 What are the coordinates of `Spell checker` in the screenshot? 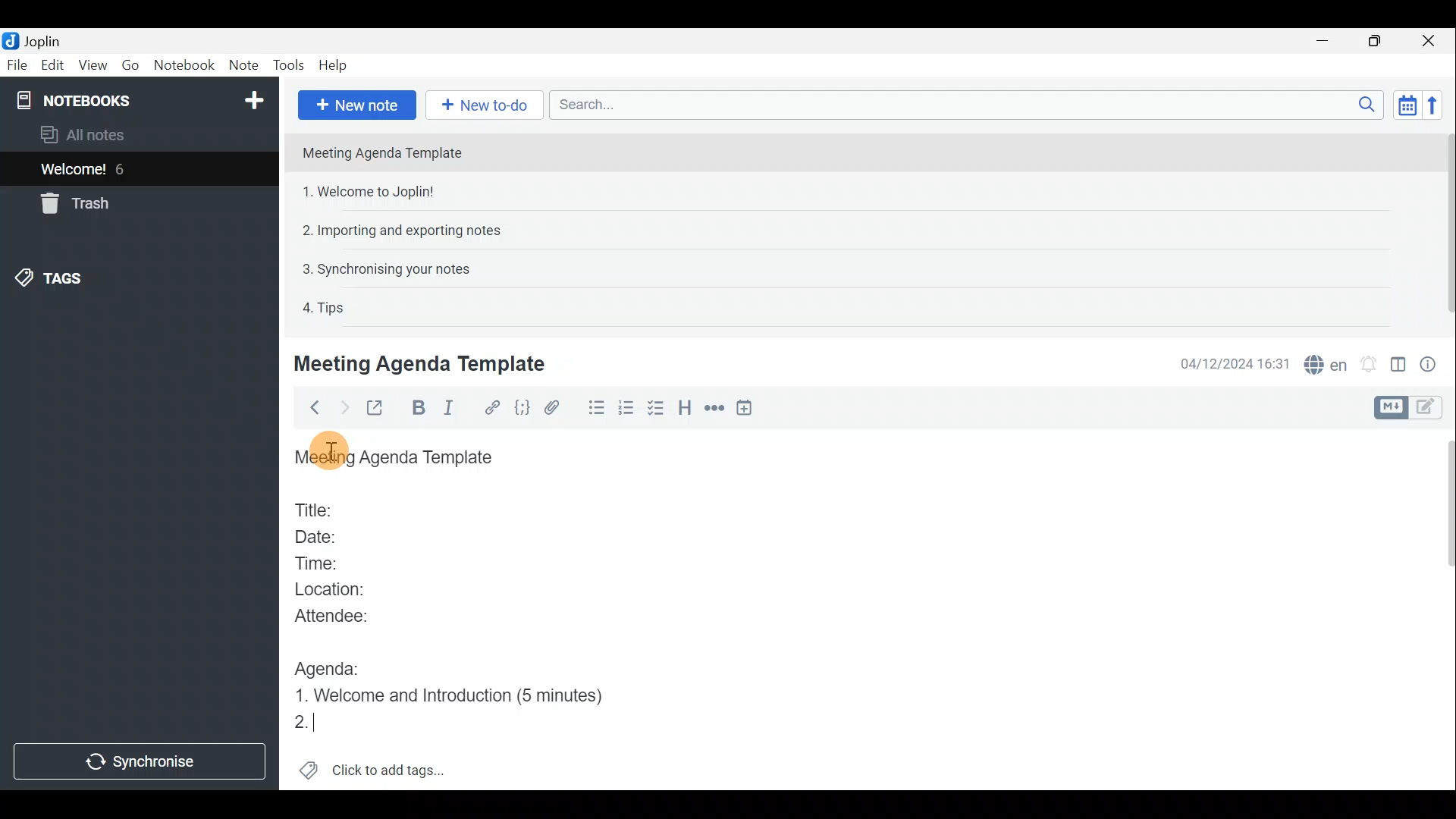 It's located at (1327, 362).